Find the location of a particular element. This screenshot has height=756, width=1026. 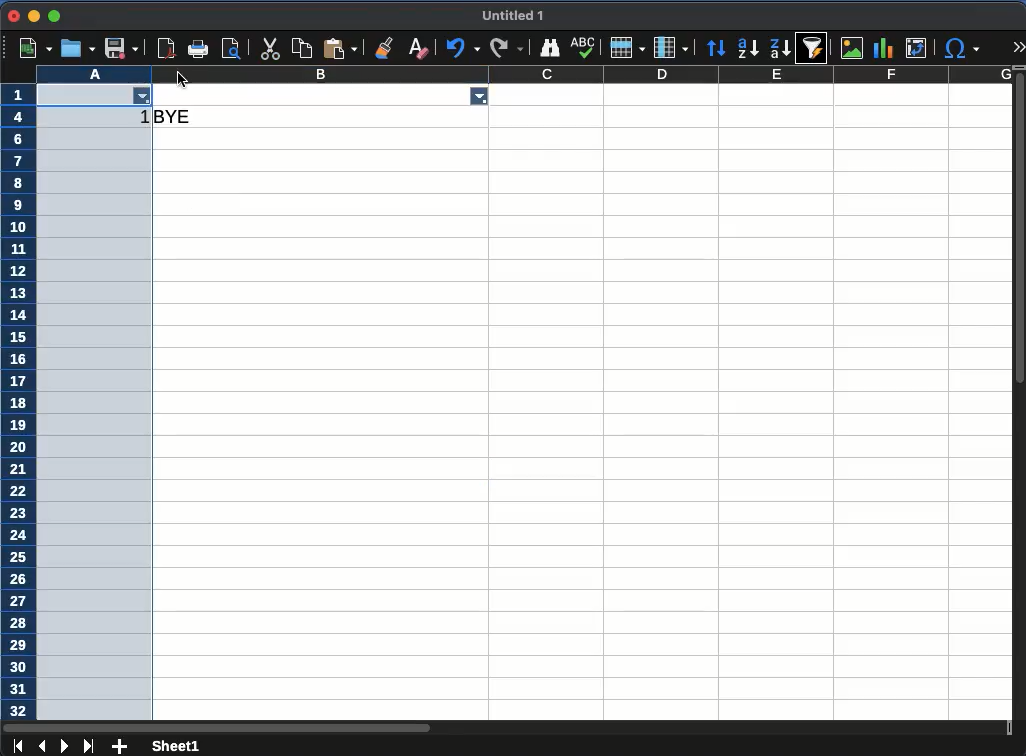

last sheet is located at coordinates (89, 746).